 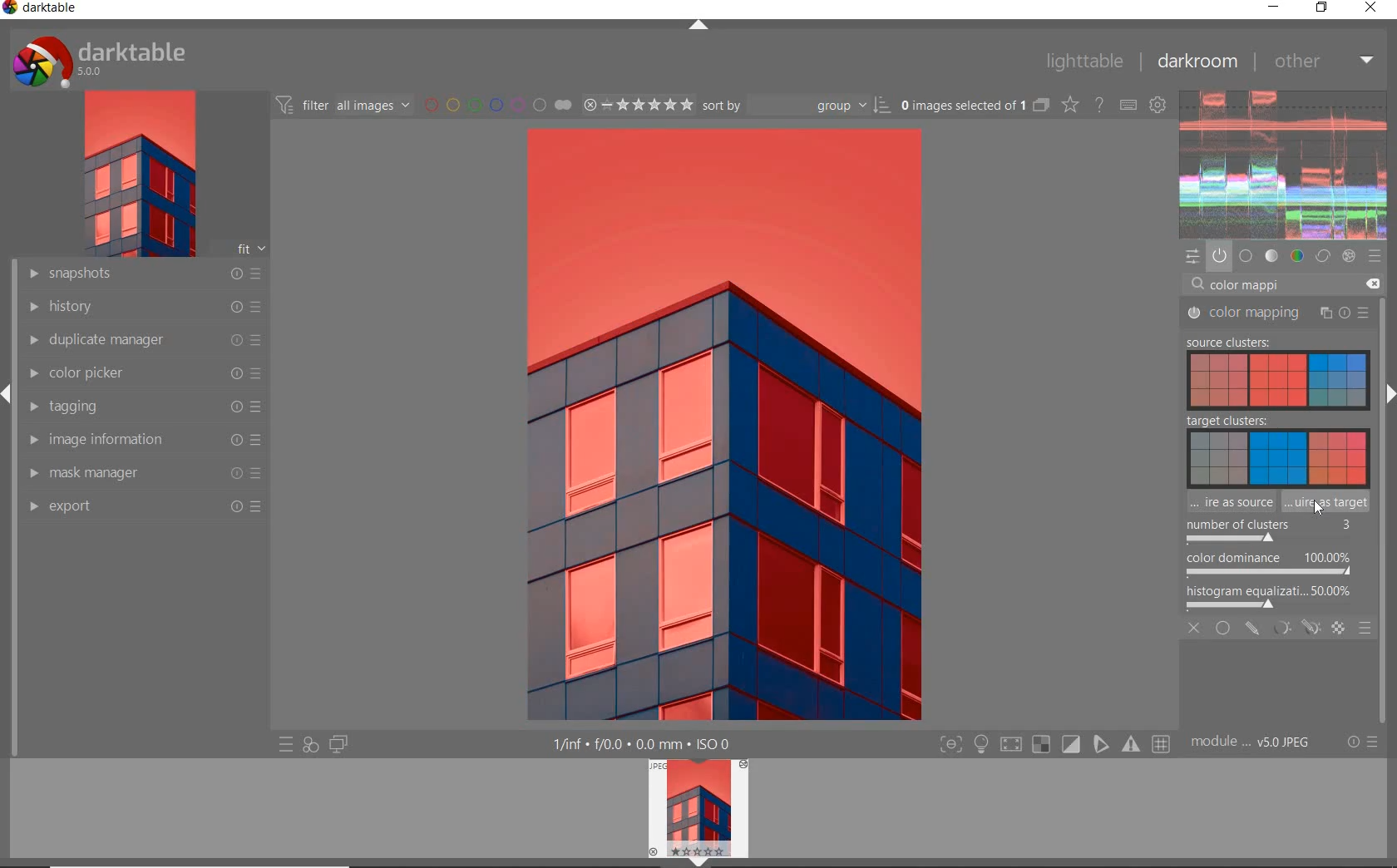 What do you see at coordinates (1389, 393) in the screenshot?
I see `expand/collapse` at bounding box center [1389, 393].